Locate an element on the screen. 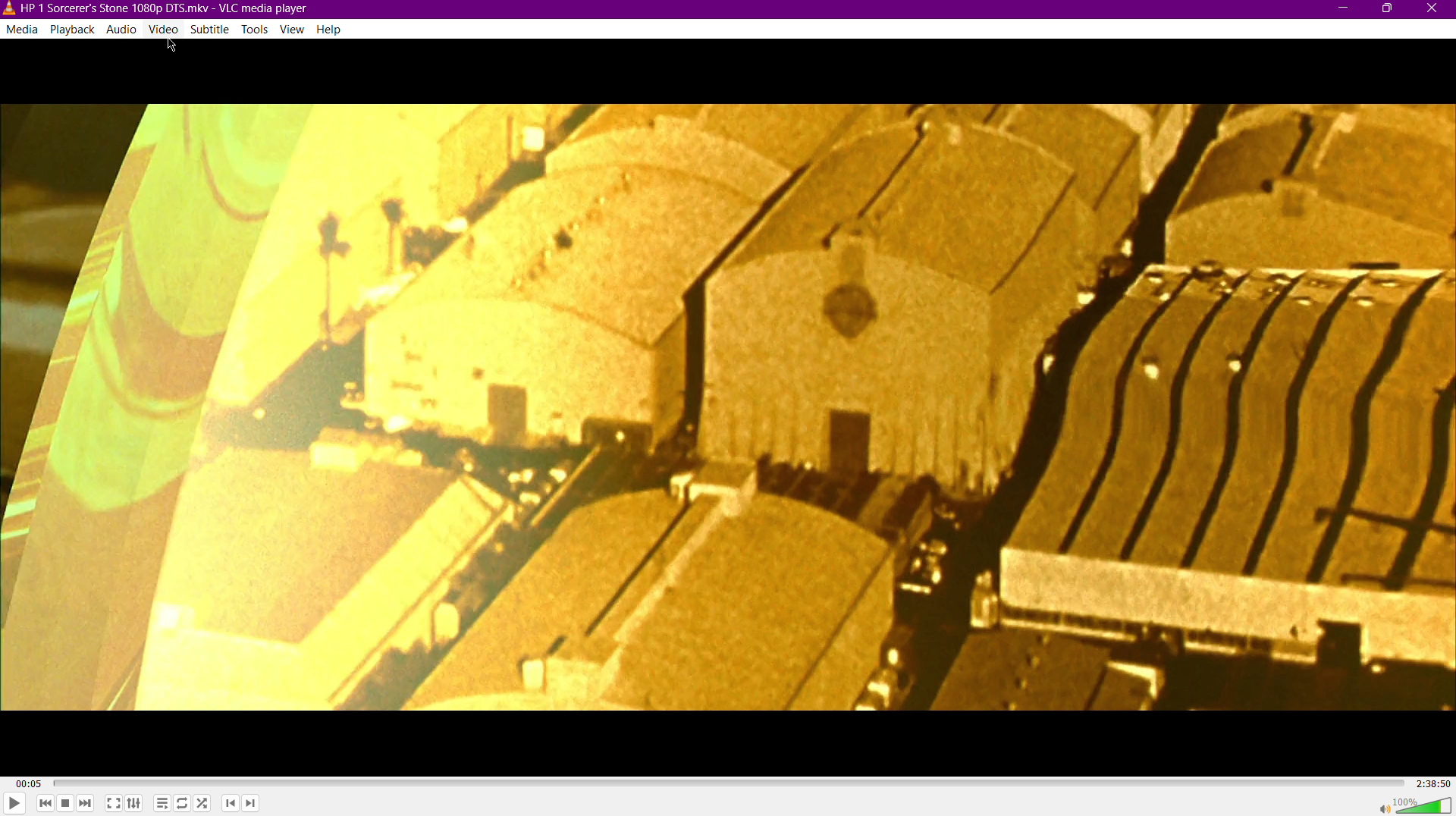 The width and height of the screenshot is (1456, 816). Playback is located at coordinates (71, 31).